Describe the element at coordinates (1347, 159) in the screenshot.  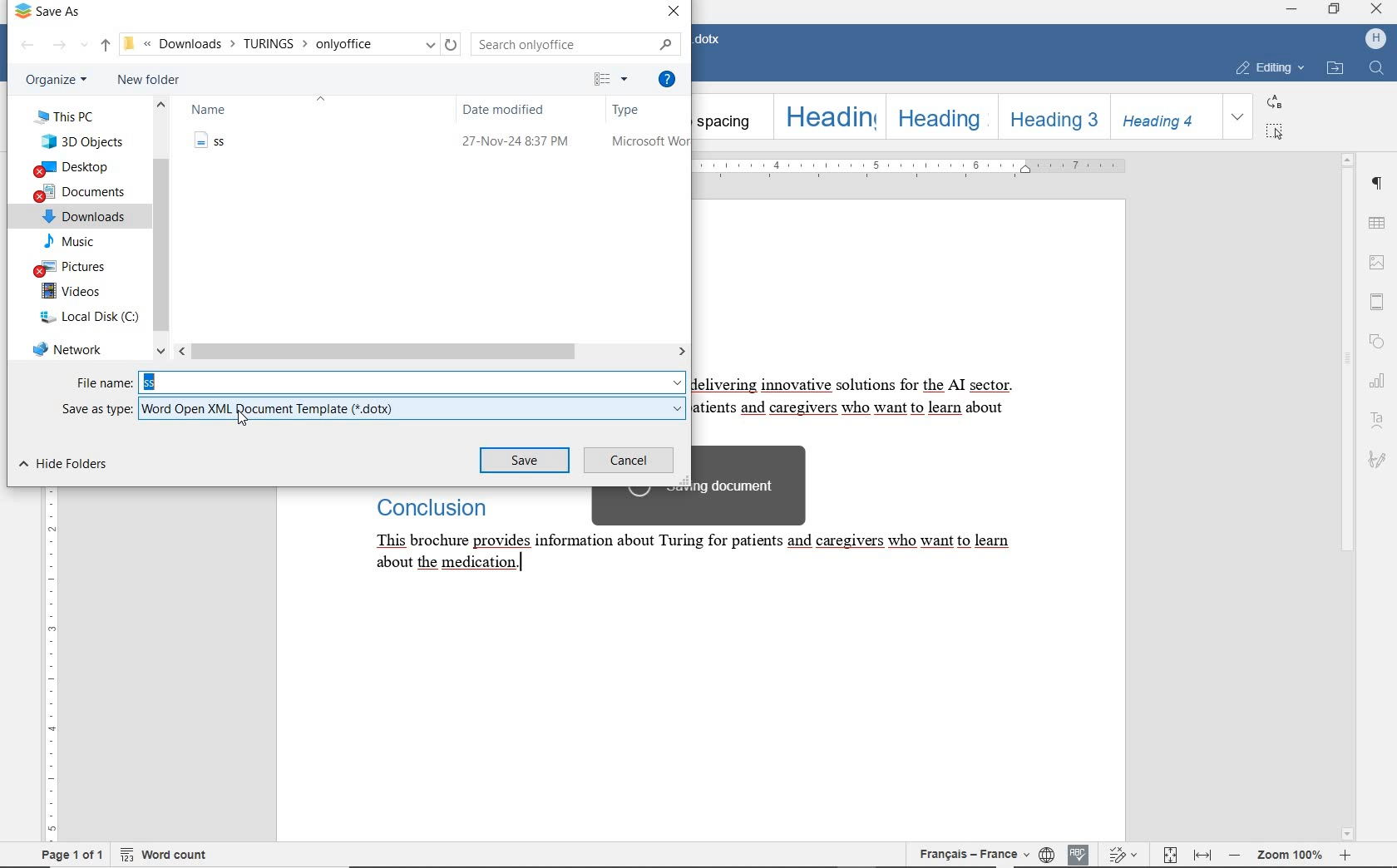
I see `scroll up` at that location.